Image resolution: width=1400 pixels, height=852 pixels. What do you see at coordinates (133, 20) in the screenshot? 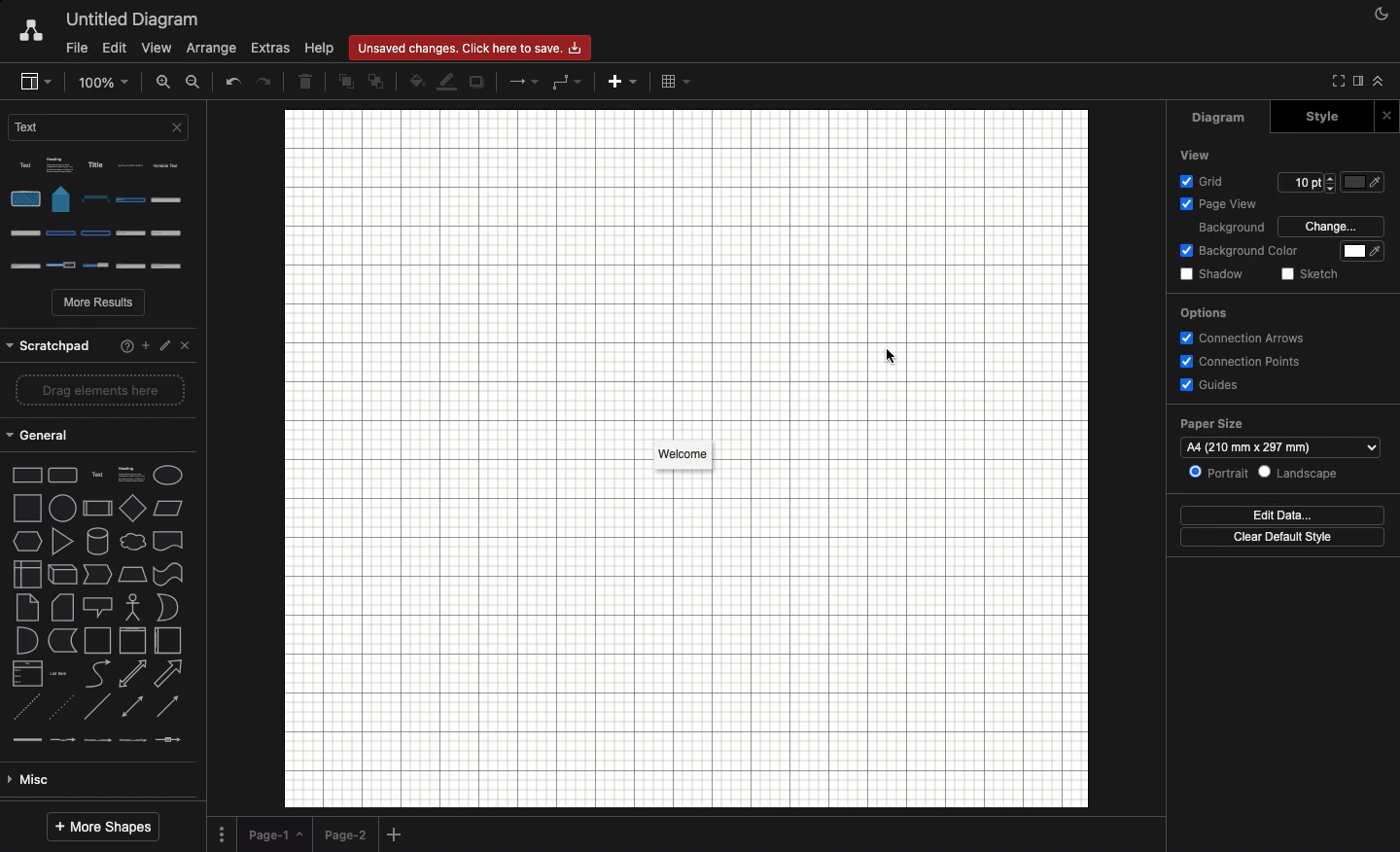
I see `Untitled` at bounding box center [133, 20].